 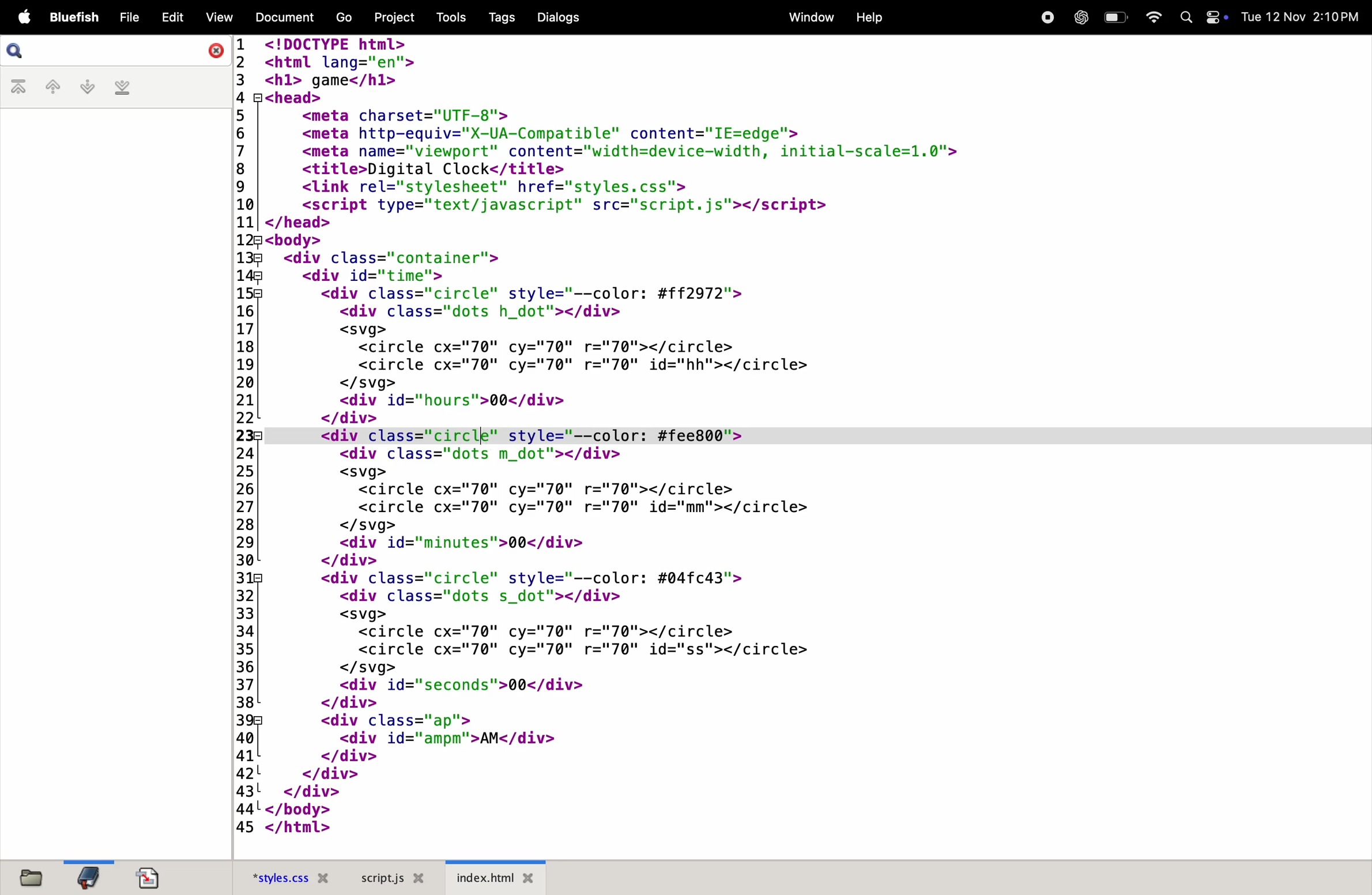 What do you see at coordinates (390, 878) in the screenshot?
I see `scropt.js` at bounding box center [390, 878].